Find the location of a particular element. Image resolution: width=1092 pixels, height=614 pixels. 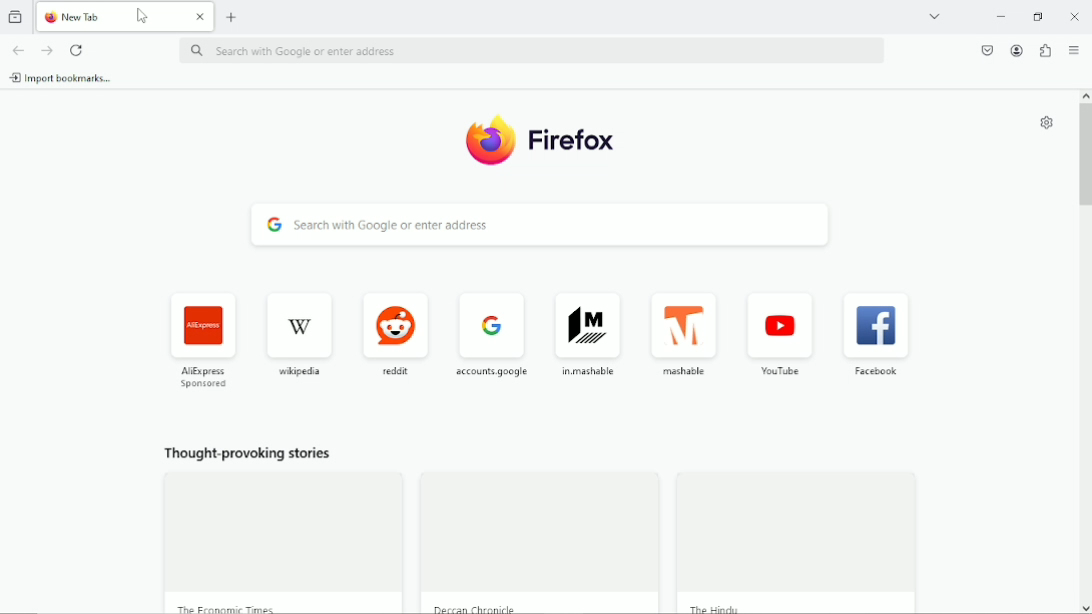

Reload current page is located at coordinates (75, 49).